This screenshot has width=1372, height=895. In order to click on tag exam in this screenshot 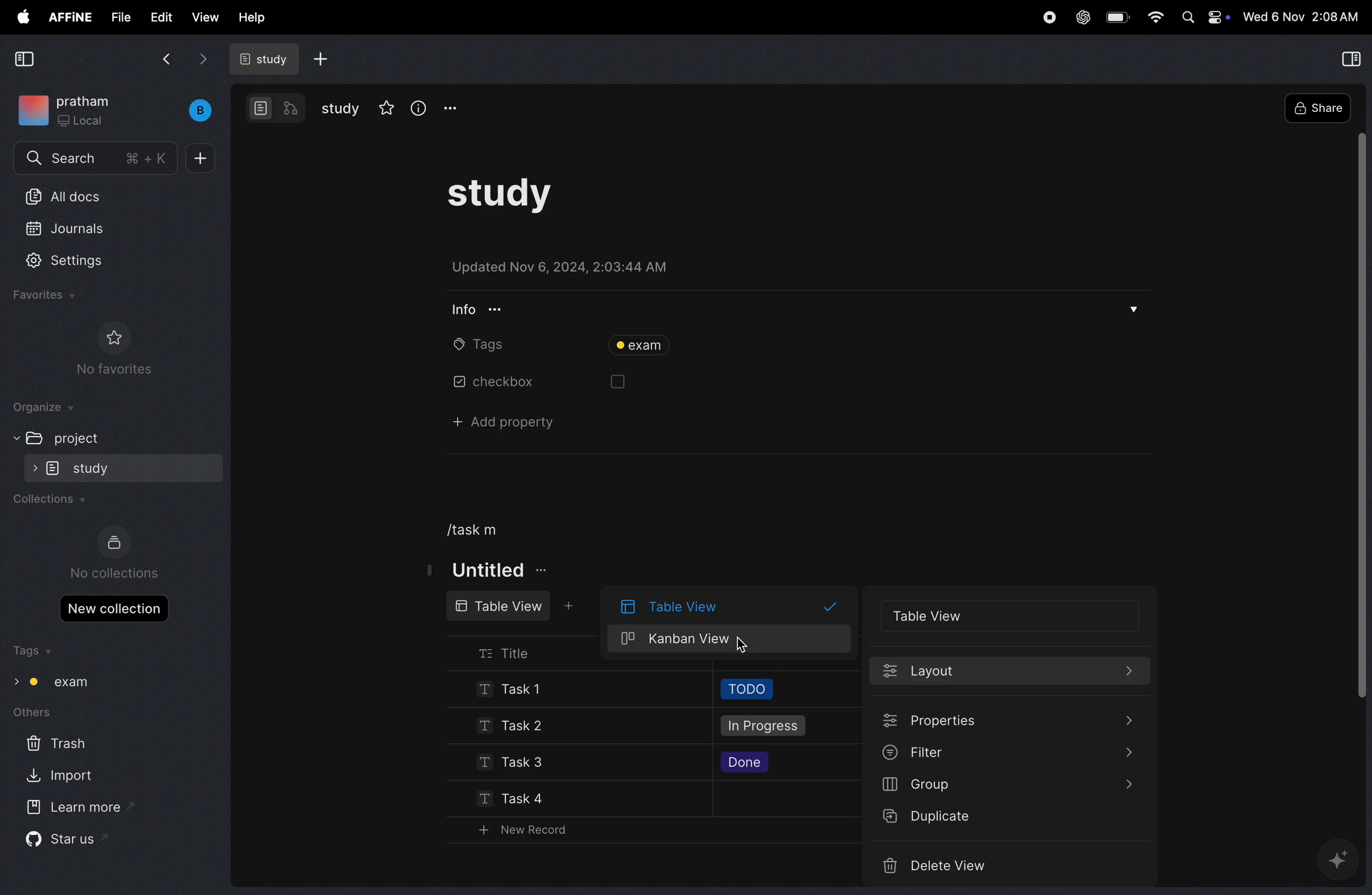, I will do `click(59, 683)`.